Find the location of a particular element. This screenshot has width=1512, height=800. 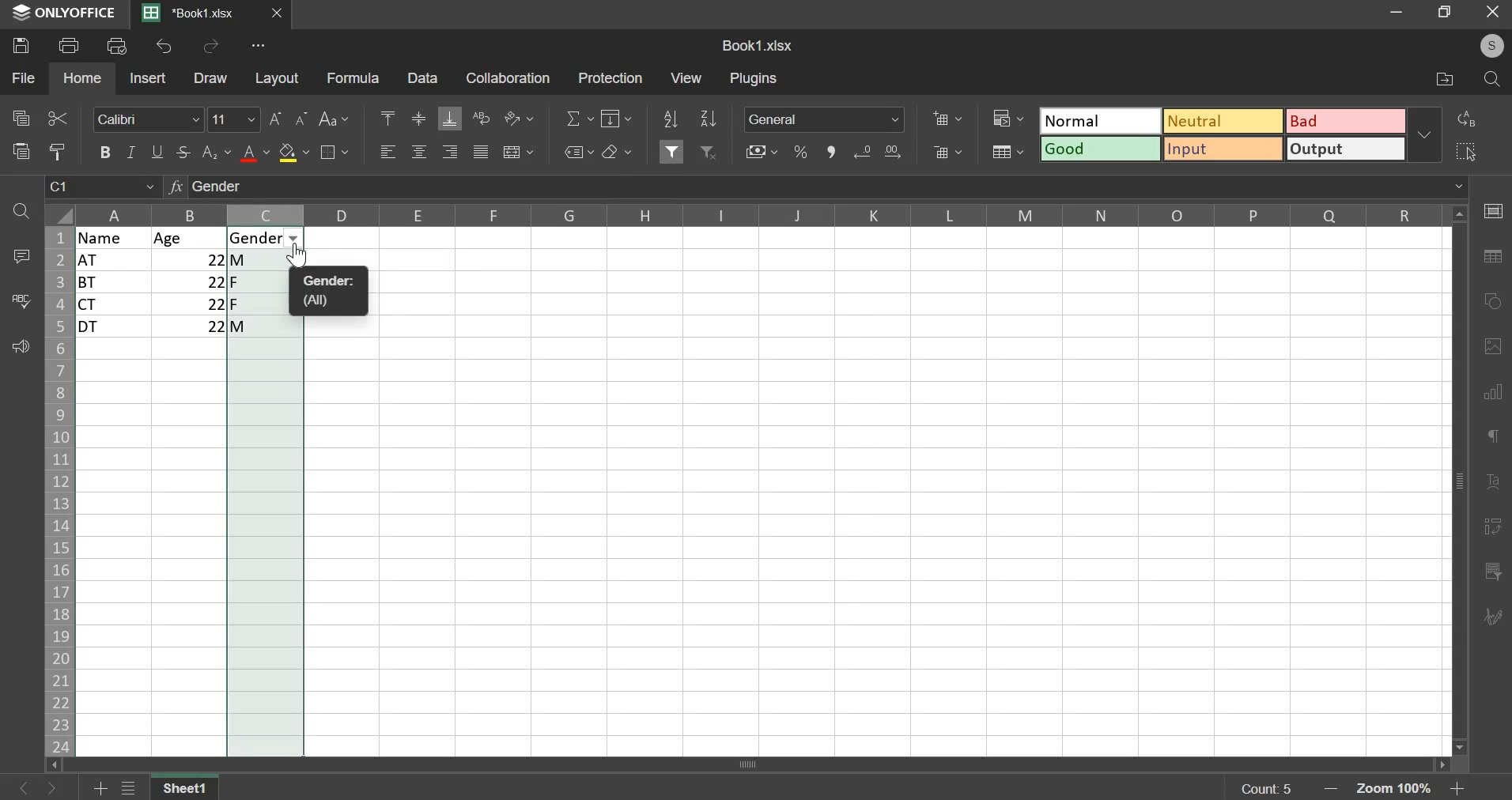

format is located at coordinates (1222, 133).